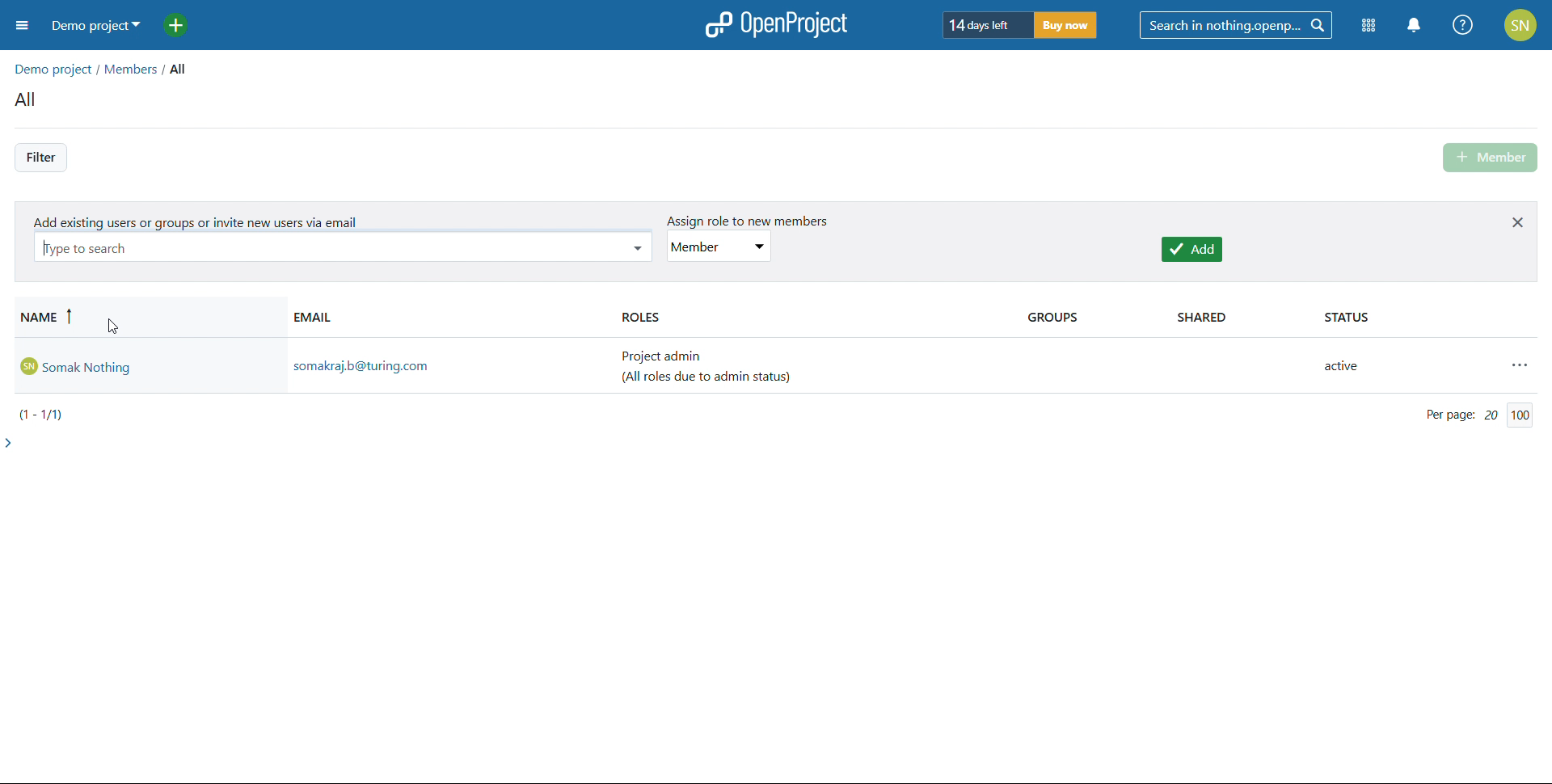 This screenshot has width=1552, height=784. Describe the element at coordinates (1084, 318) in the screenshot. I see `groups` at that location.